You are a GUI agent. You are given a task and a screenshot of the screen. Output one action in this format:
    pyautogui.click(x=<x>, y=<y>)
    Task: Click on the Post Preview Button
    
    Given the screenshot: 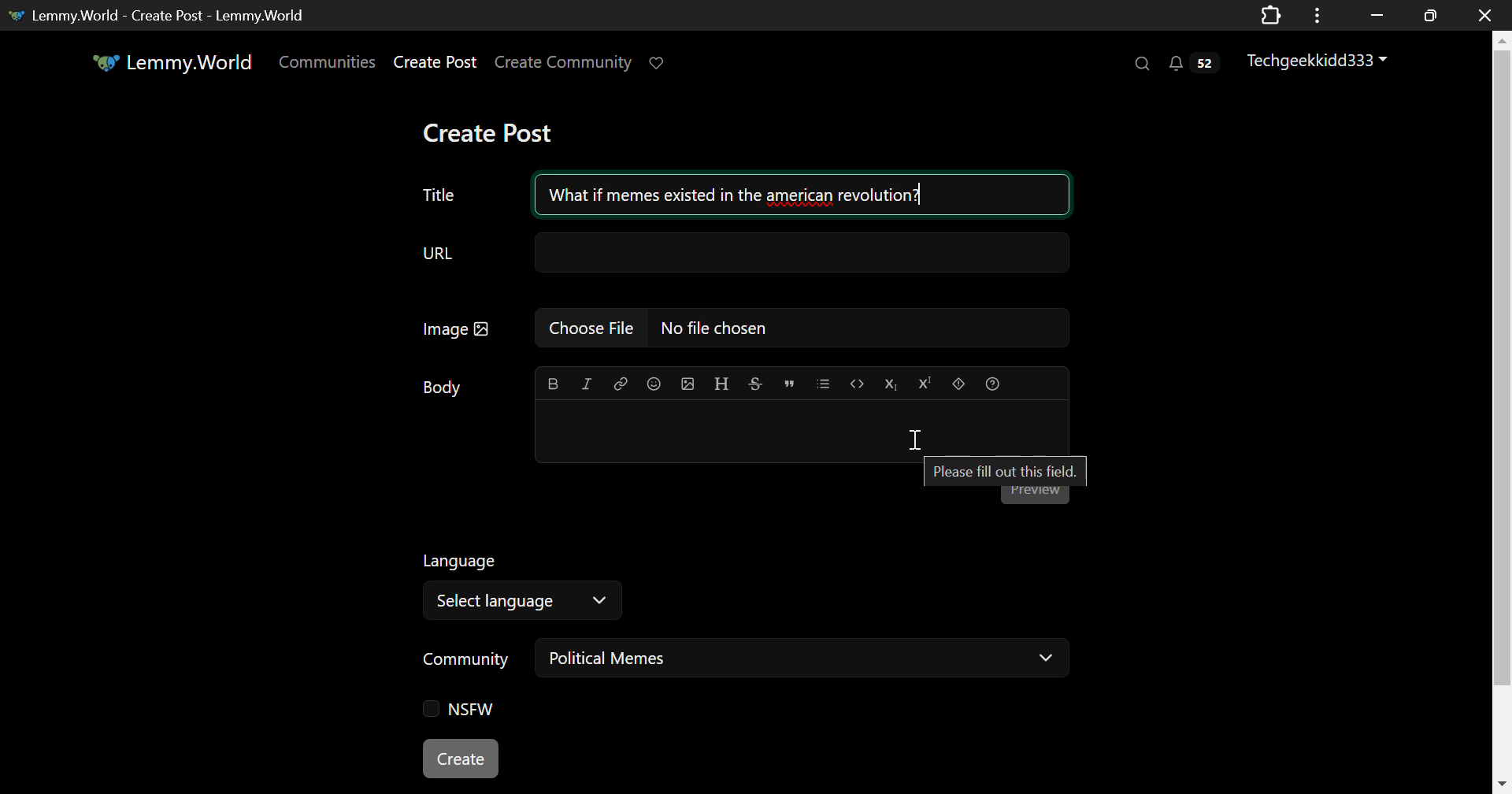 What is the action you would take?
    pyautogui.click(x=1036, y=495)
    